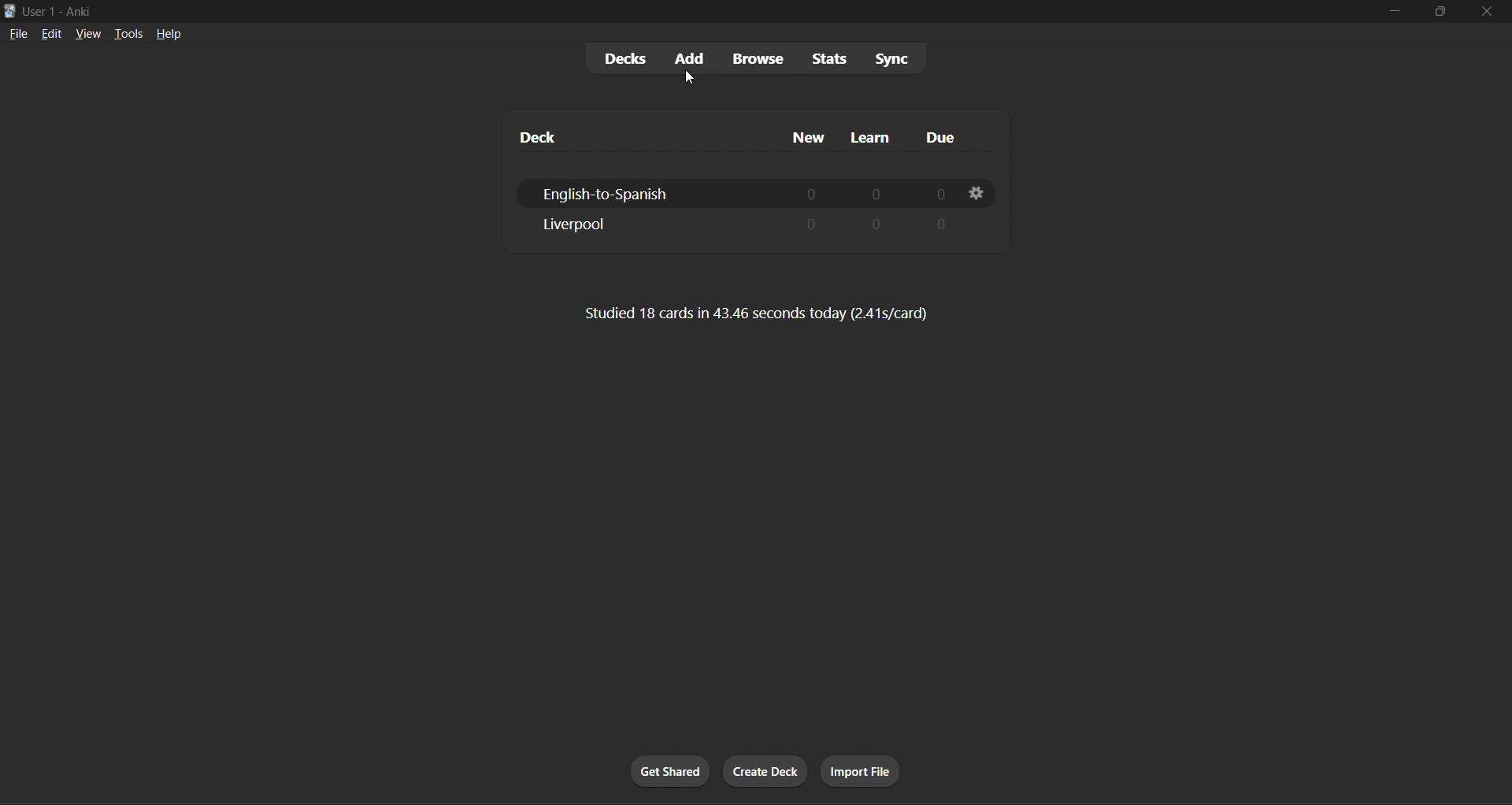 This screenshot has height=805, width=1512. I want to click on tools, so click(120, 33).